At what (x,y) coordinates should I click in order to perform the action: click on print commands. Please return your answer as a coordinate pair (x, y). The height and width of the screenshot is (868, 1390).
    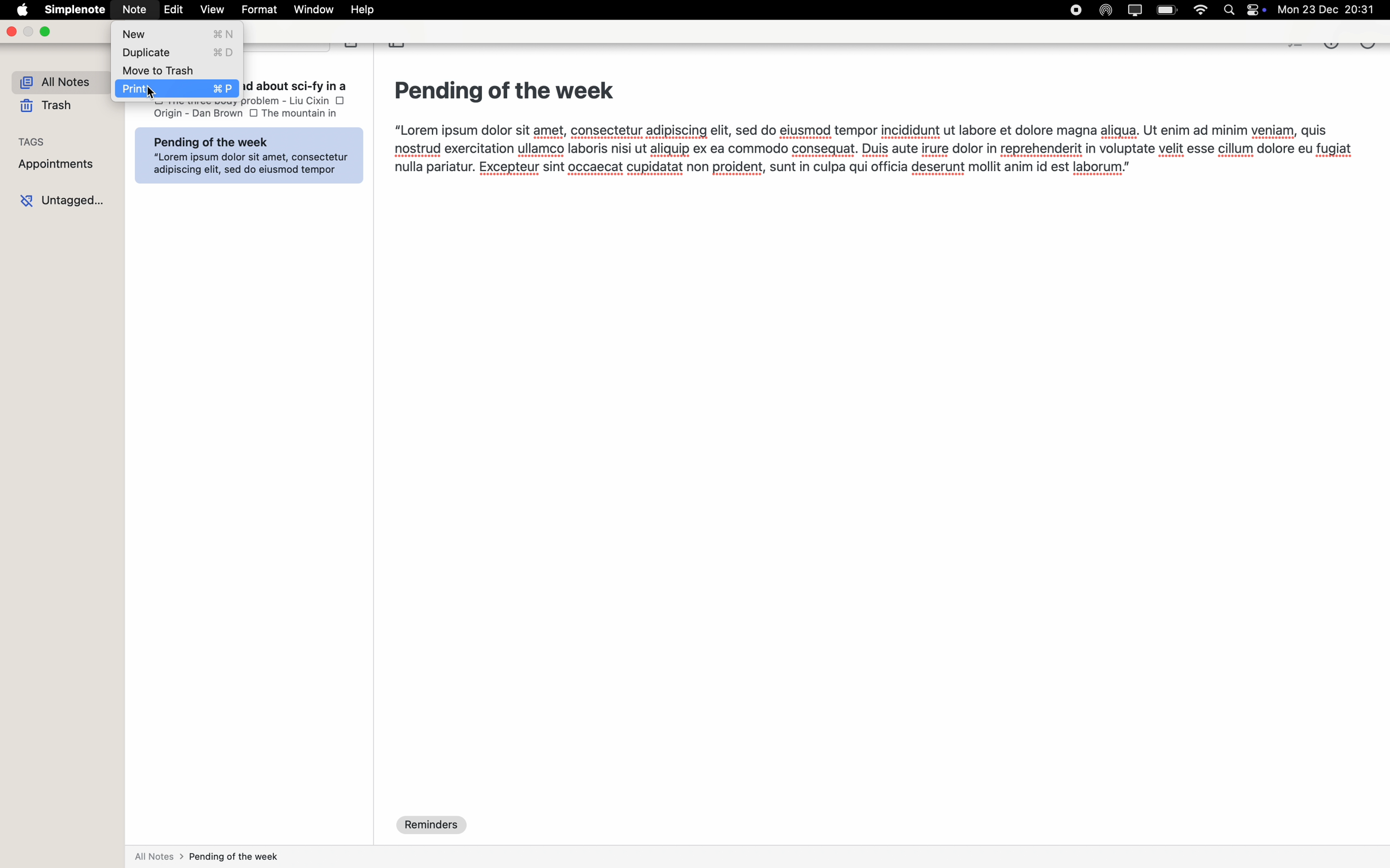
    Looking at the image, I should click on (222, 90).